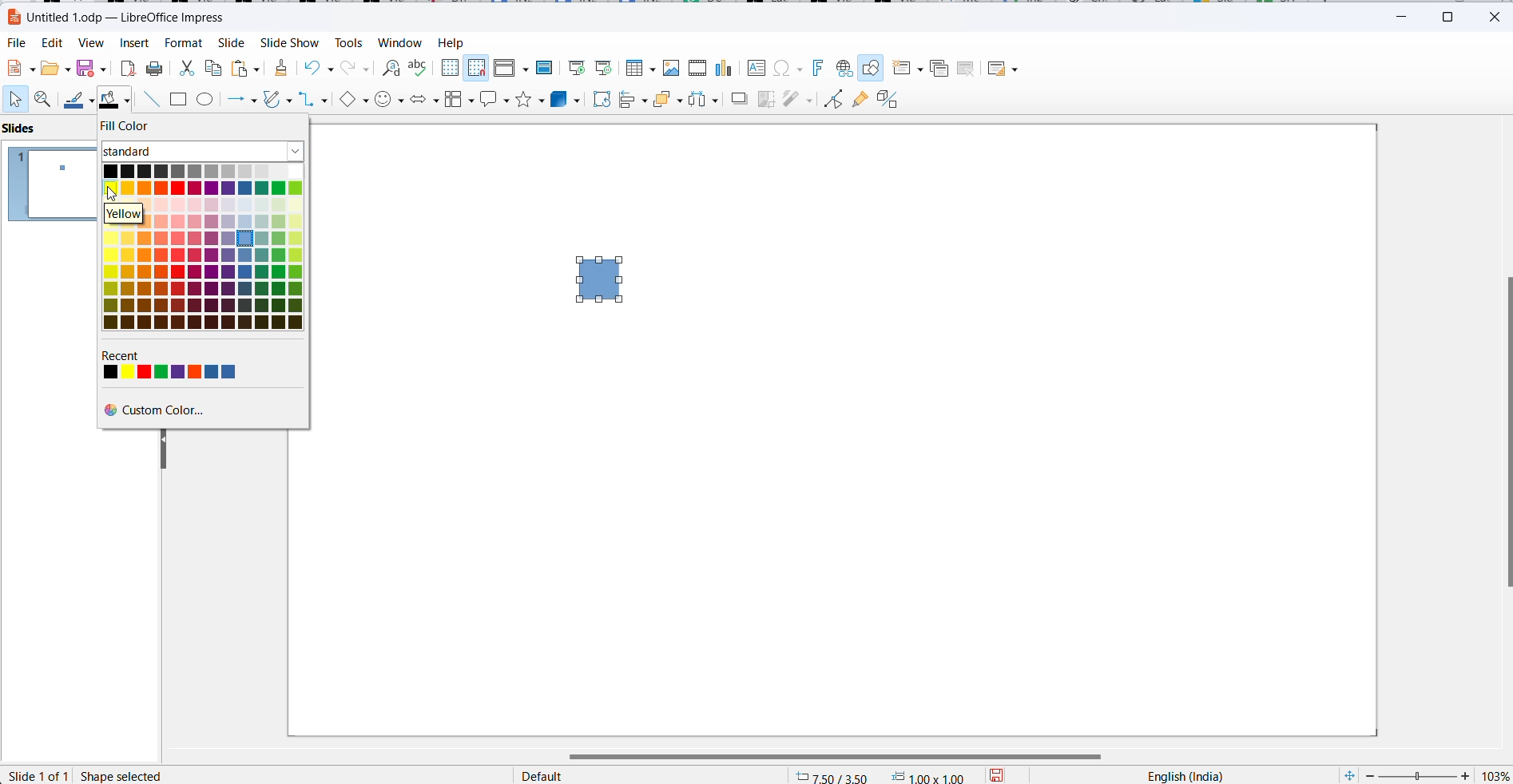 The width and height of the screenshot is (1513, 784). Describe the element at coordinates (208, 101) in the screenshot. I see `ellipse` at that location.